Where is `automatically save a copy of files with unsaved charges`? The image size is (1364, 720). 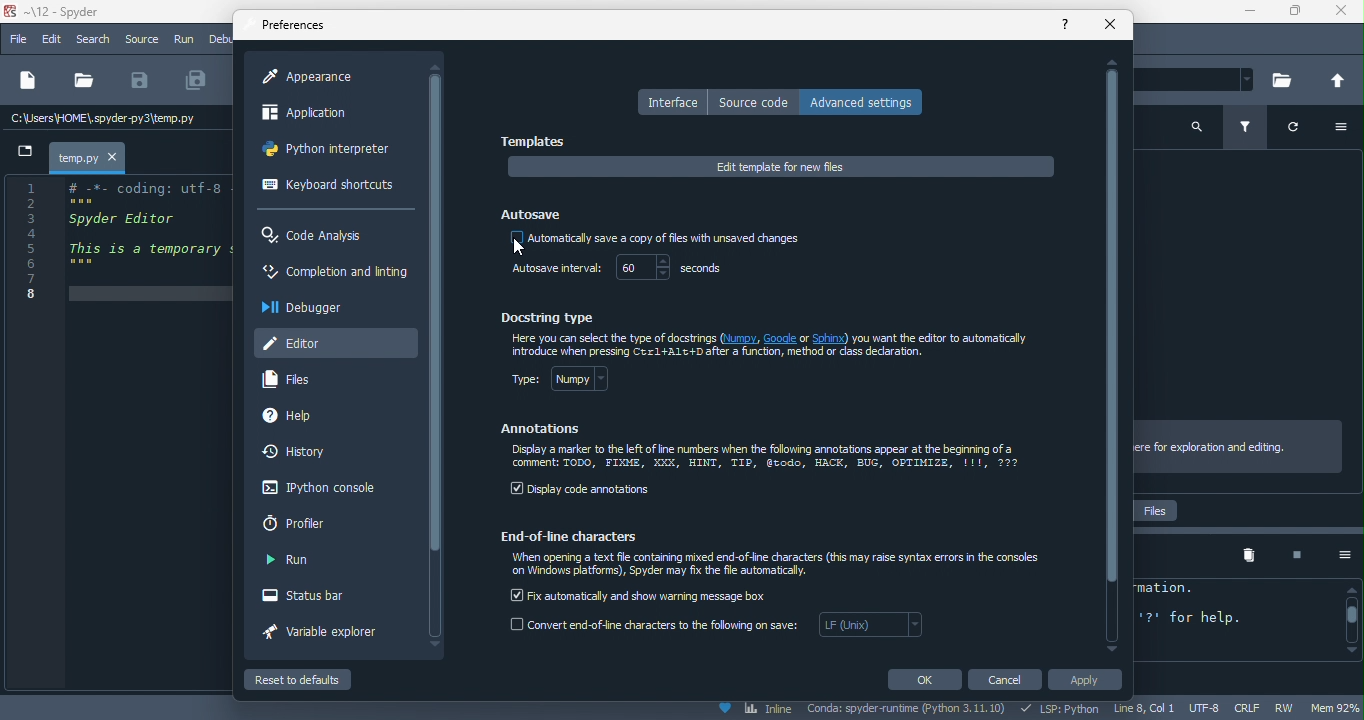 automatically save a copy of files with unsaved charges is located at coordinates (654, 240).